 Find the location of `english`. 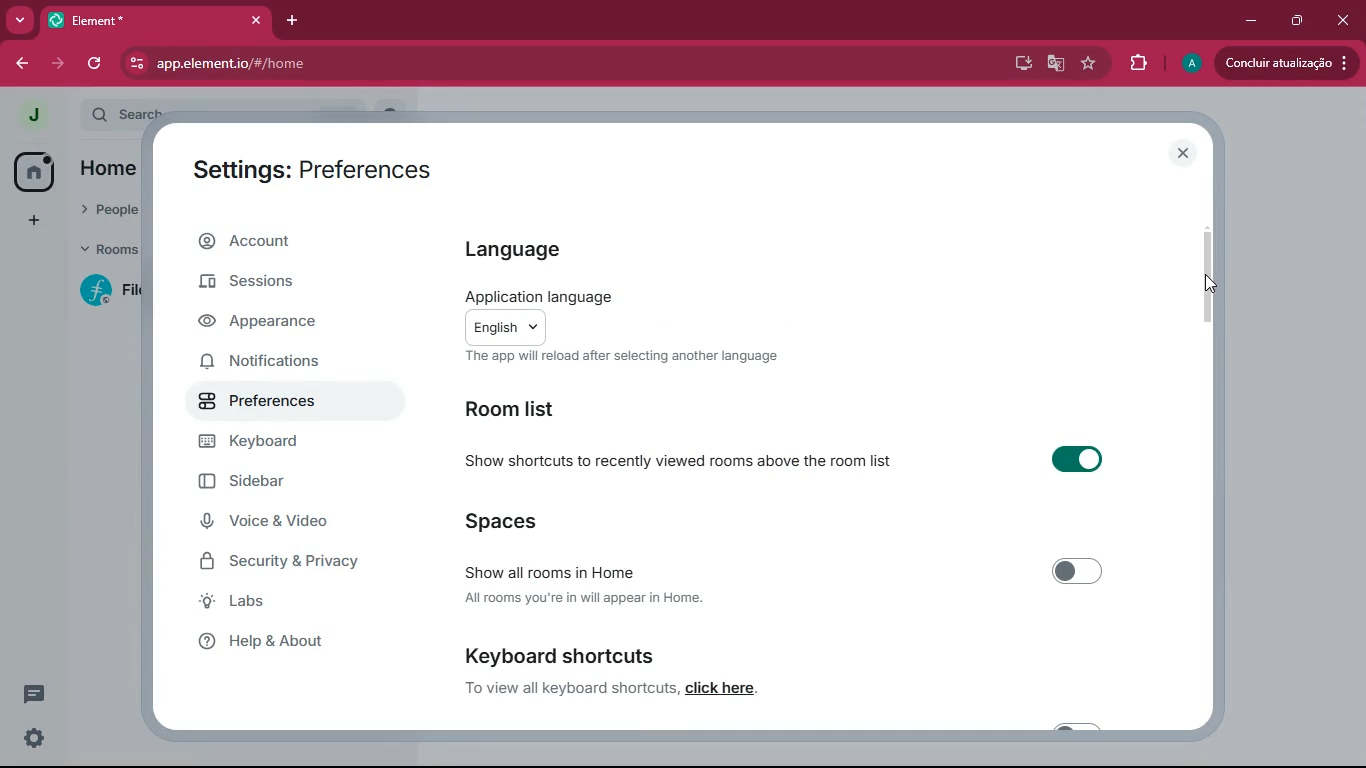

english is located at coordinates (507, 327).